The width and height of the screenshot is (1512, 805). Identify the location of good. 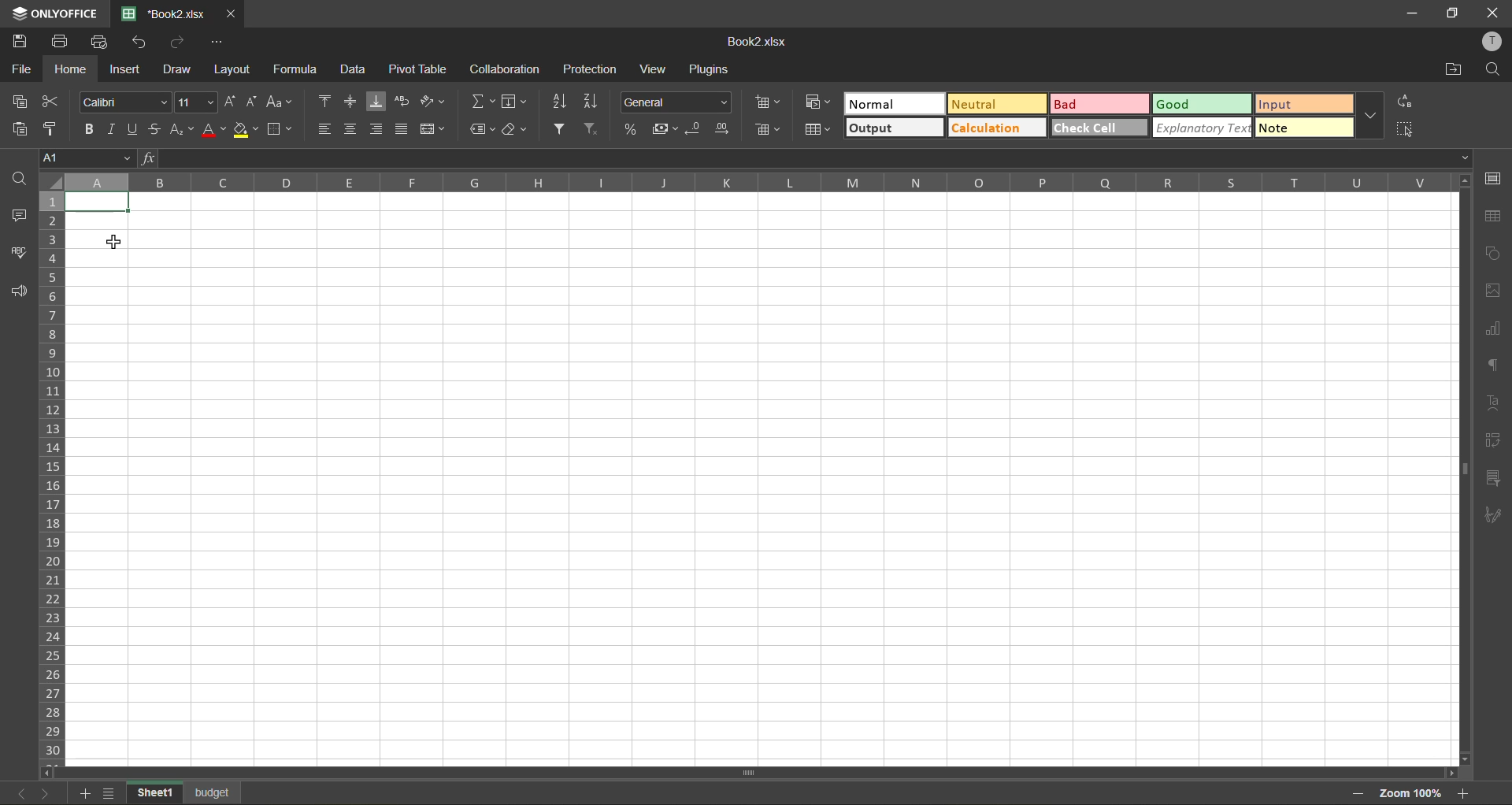
(1199, 103).